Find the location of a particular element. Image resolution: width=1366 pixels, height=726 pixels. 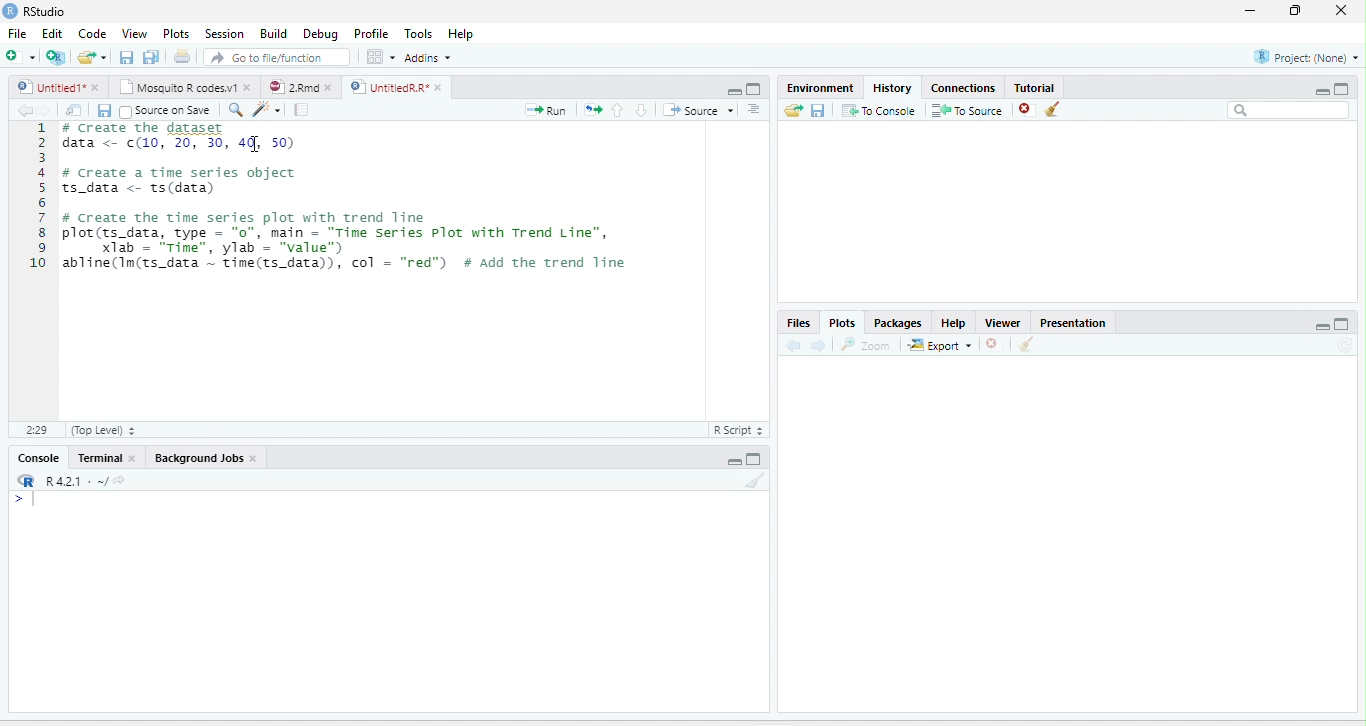

Maximize is located at coordinates (1343, 324).